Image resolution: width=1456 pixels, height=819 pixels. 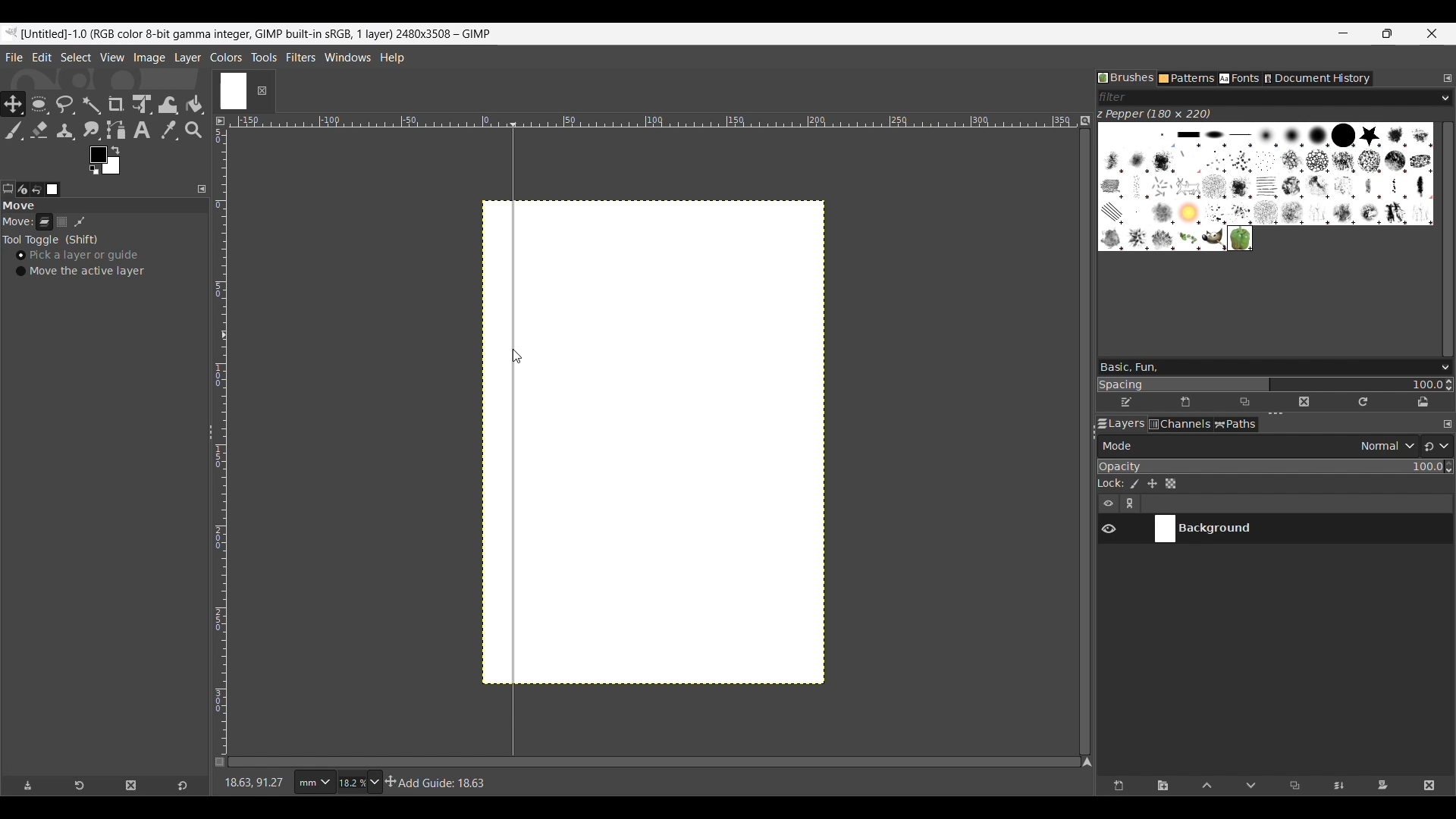 What do you see at coordinates (1448, 78) in the screenshot?
I see `Configure this tab` at bounding box center [1448, 78].